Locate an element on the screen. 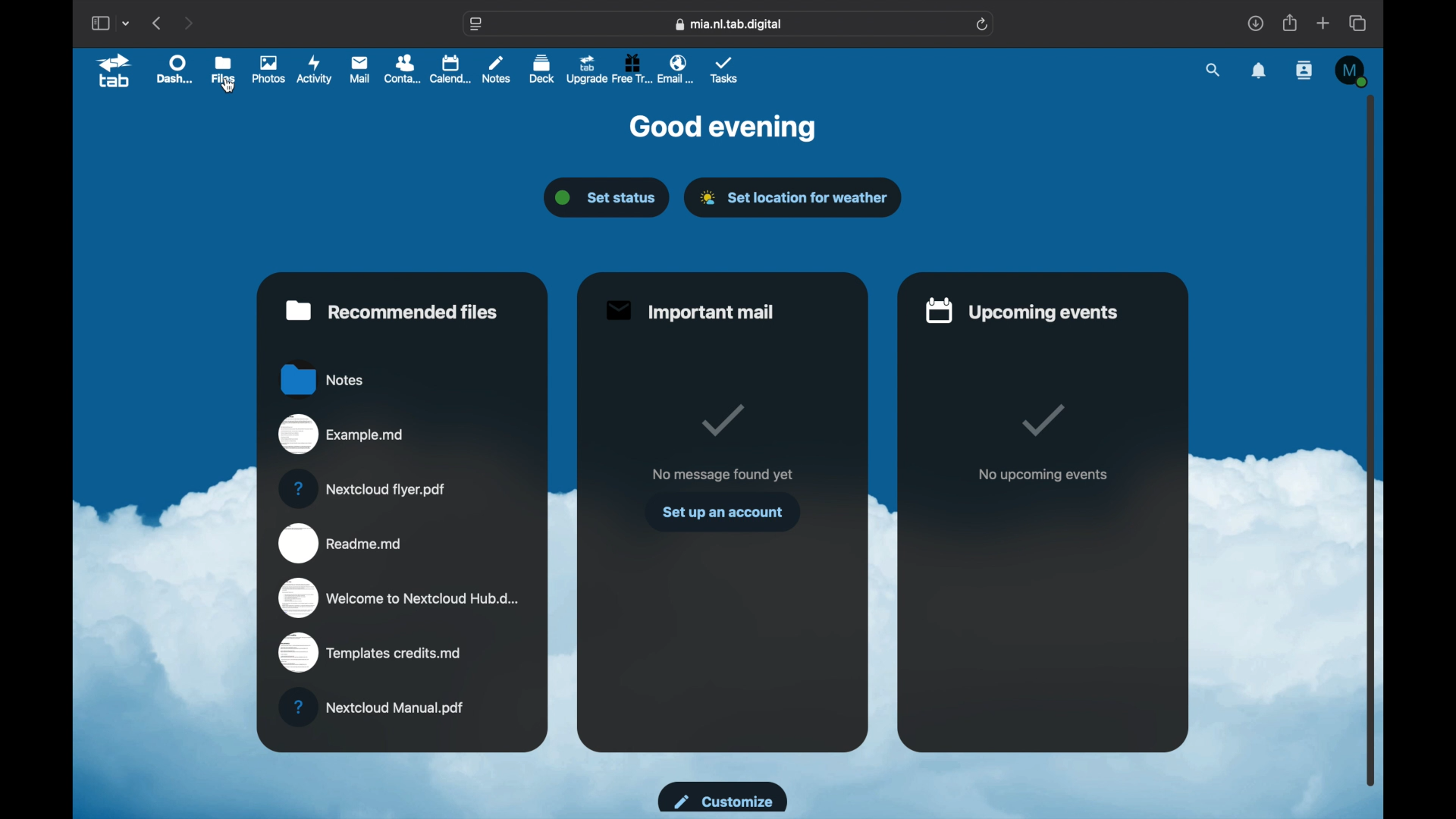 This screenshot has width=1456, height=819. tasks is located at coordinates (724, 70).